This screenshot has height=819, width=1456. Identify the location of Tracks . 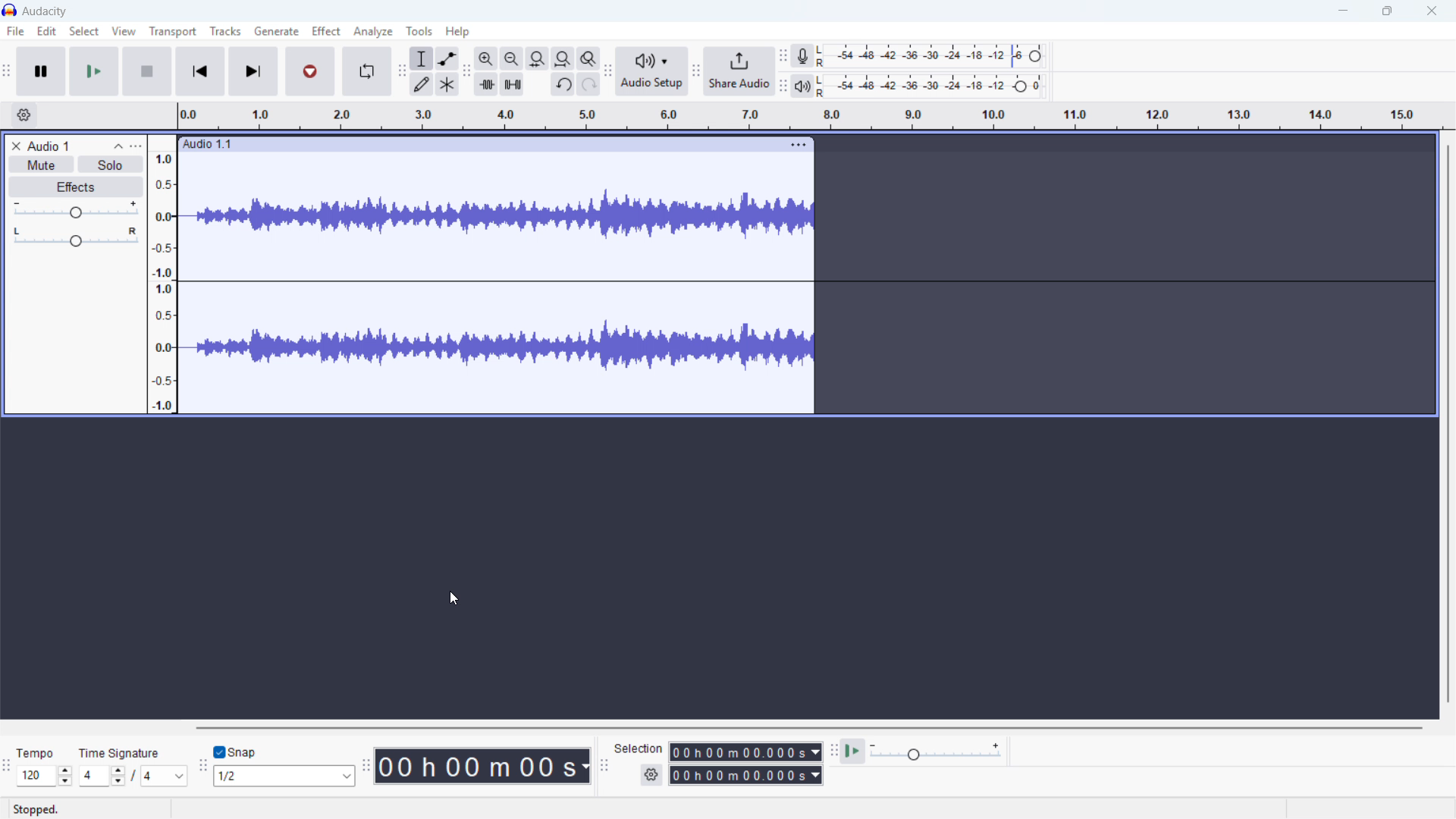
(227, 30).